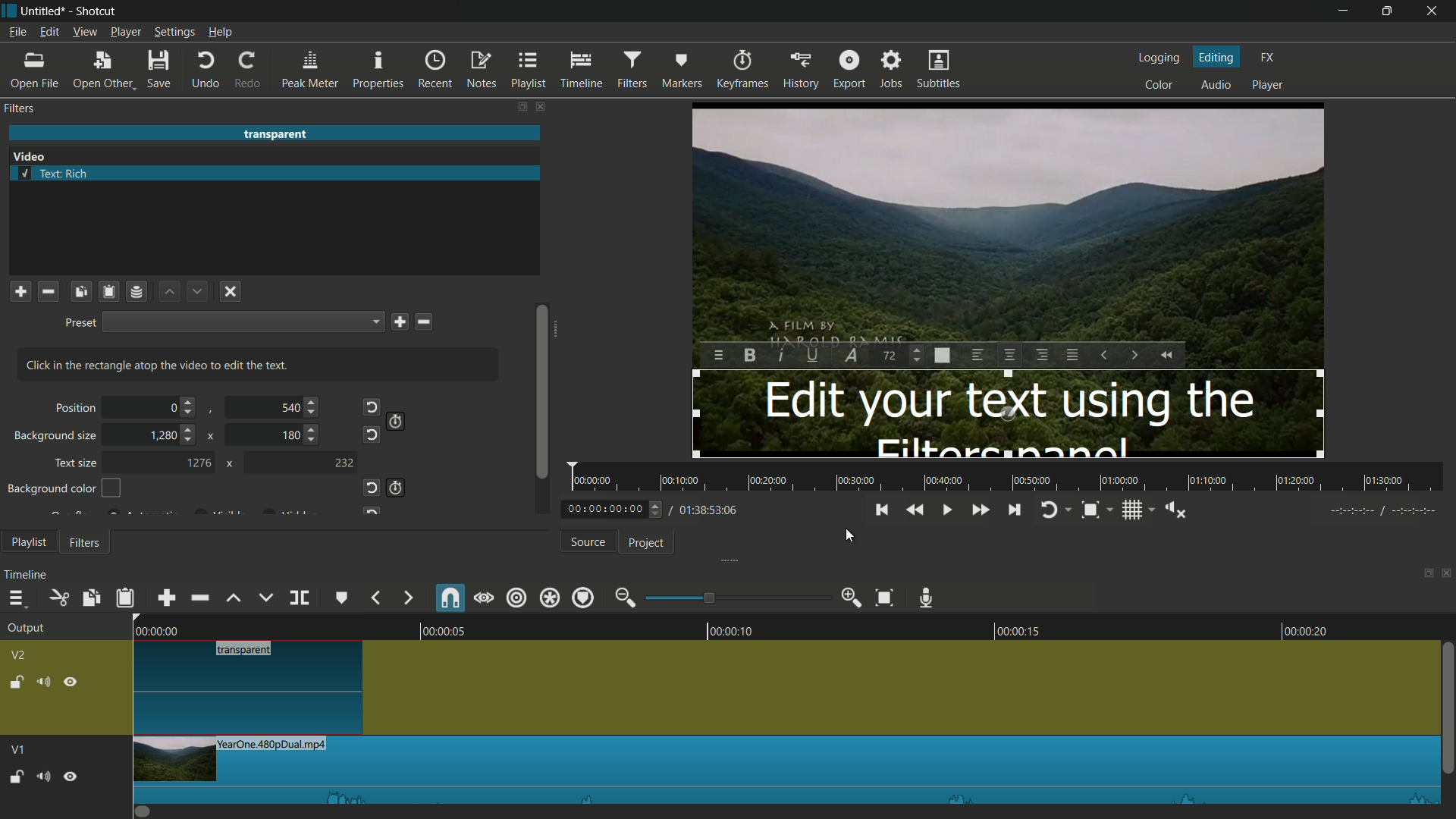 This screenshot has width=1456, height=819. What do you see at coordinates (52, 436) in the screenshot?
I see `background size` at bounding box center [52, 436].